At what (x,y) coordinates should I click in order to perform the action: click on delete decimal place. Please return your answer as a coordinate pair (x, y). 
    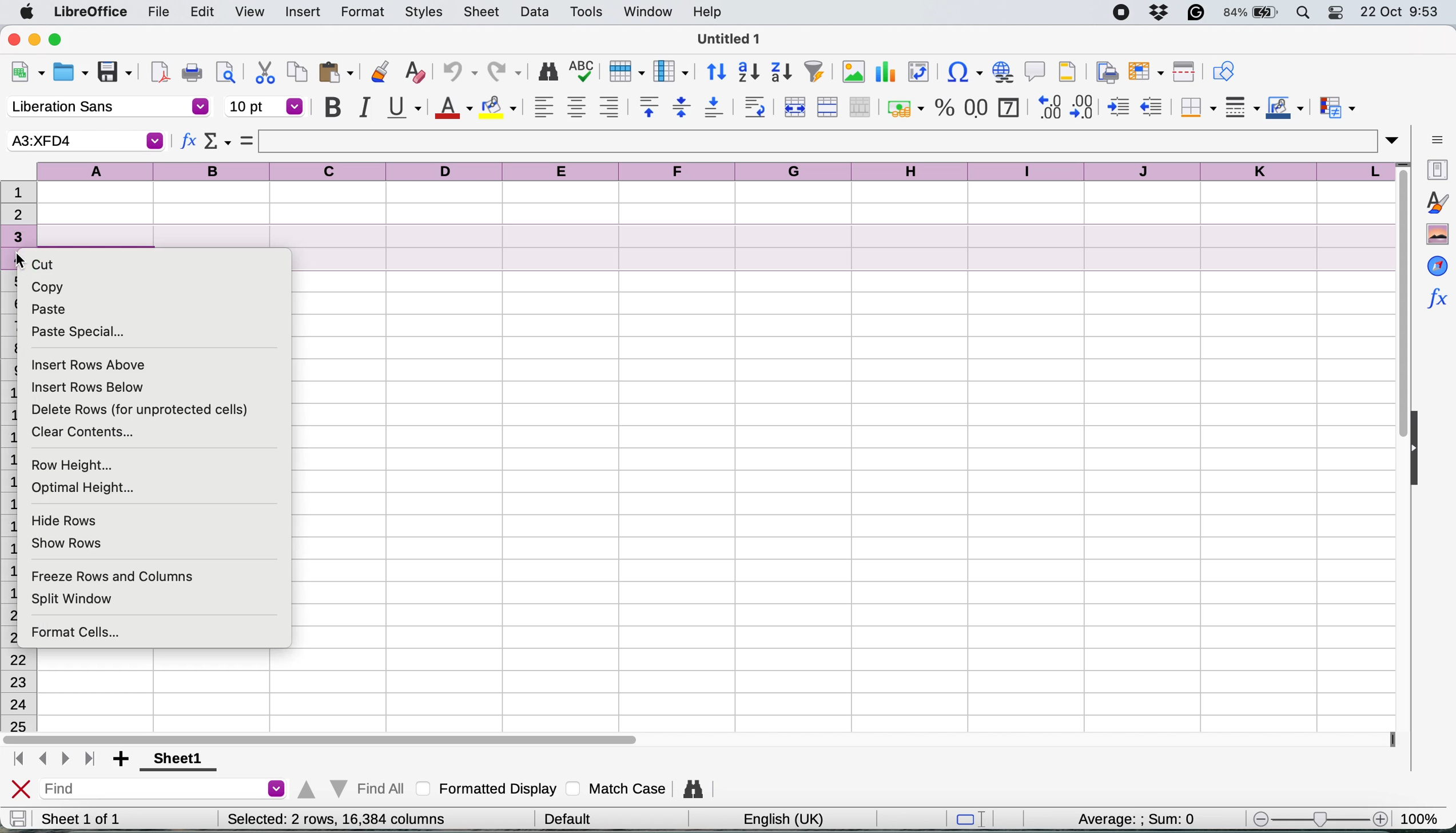
    Looking at the image, I should click on (1085, 106).